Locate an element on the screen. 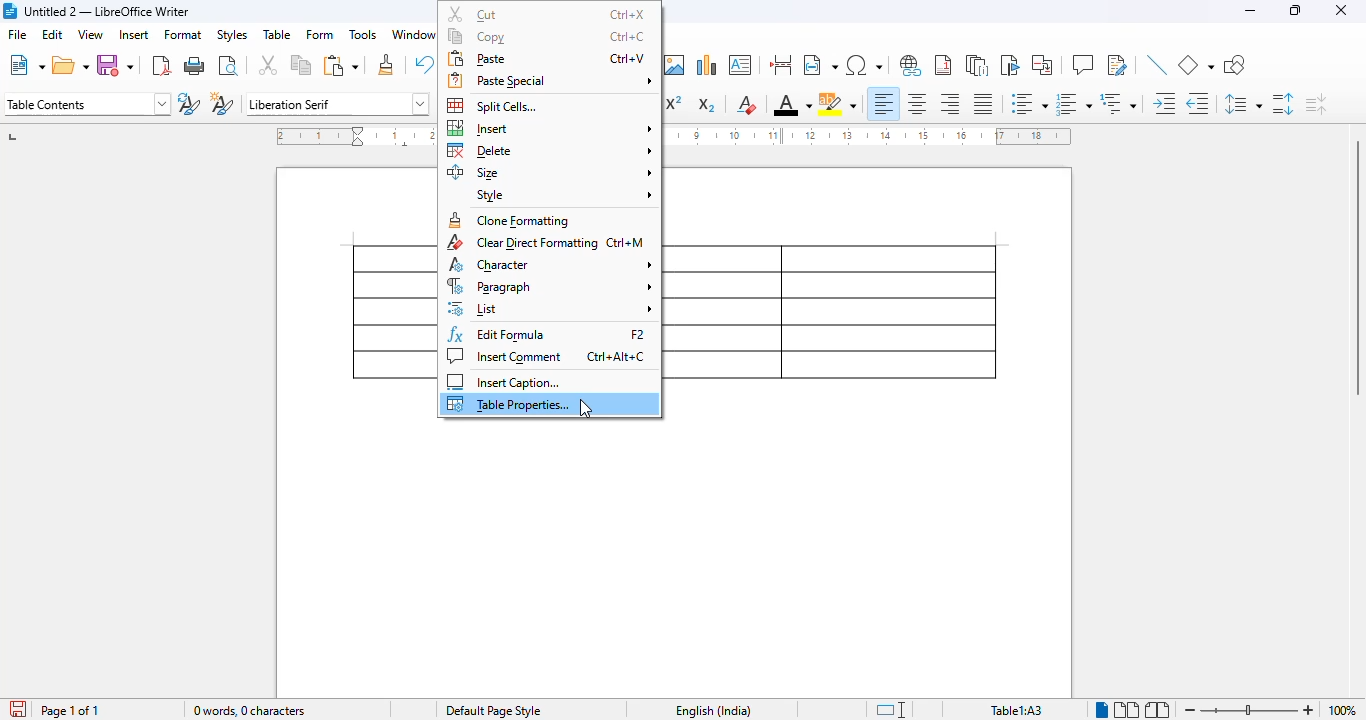 The width and height of the screenshot is (1366, 720). new style from selection is located at coordinates (221, 103).